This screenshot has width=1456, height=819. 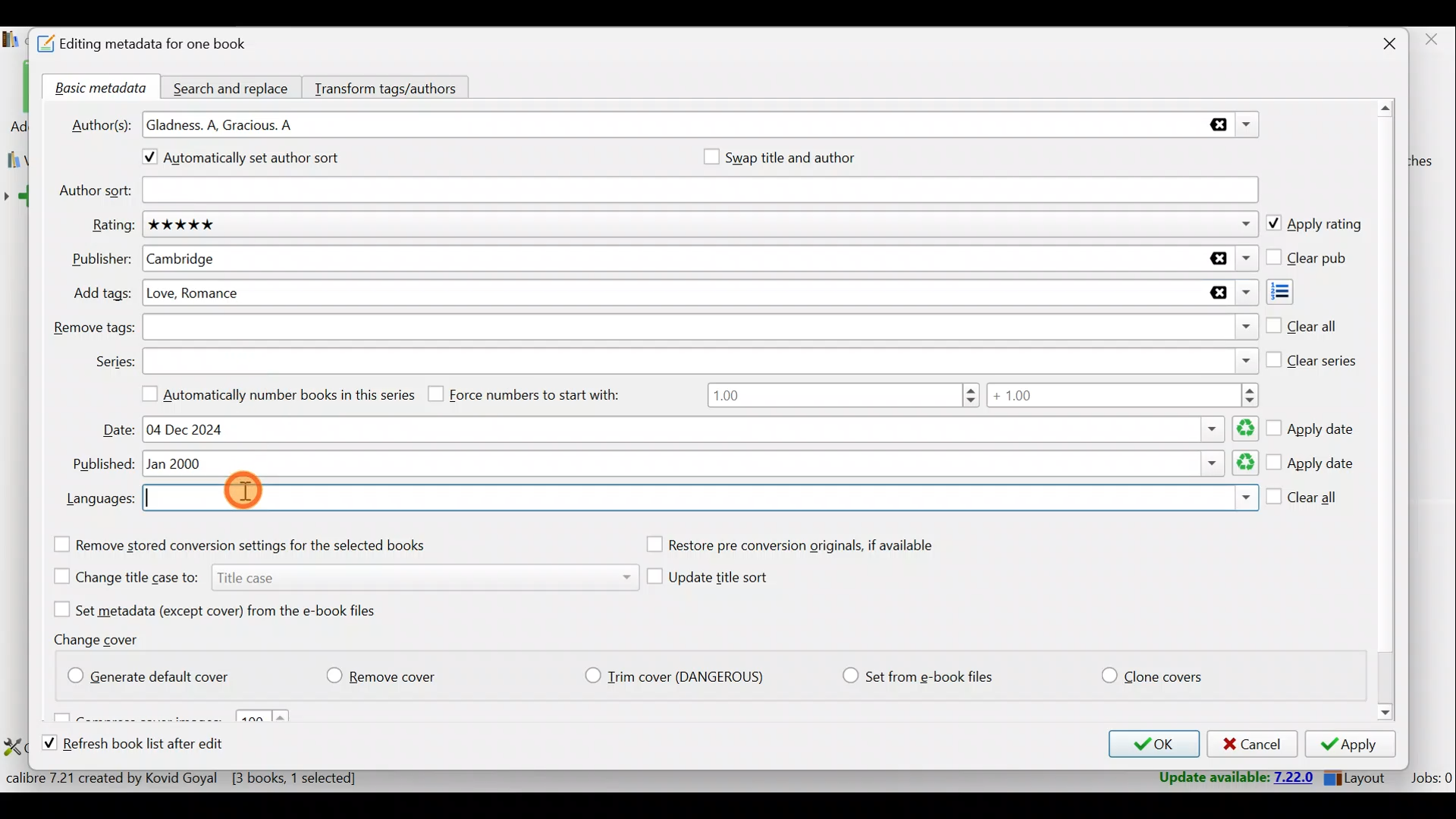 I want to click on Number range, so click(x=982, y=397).